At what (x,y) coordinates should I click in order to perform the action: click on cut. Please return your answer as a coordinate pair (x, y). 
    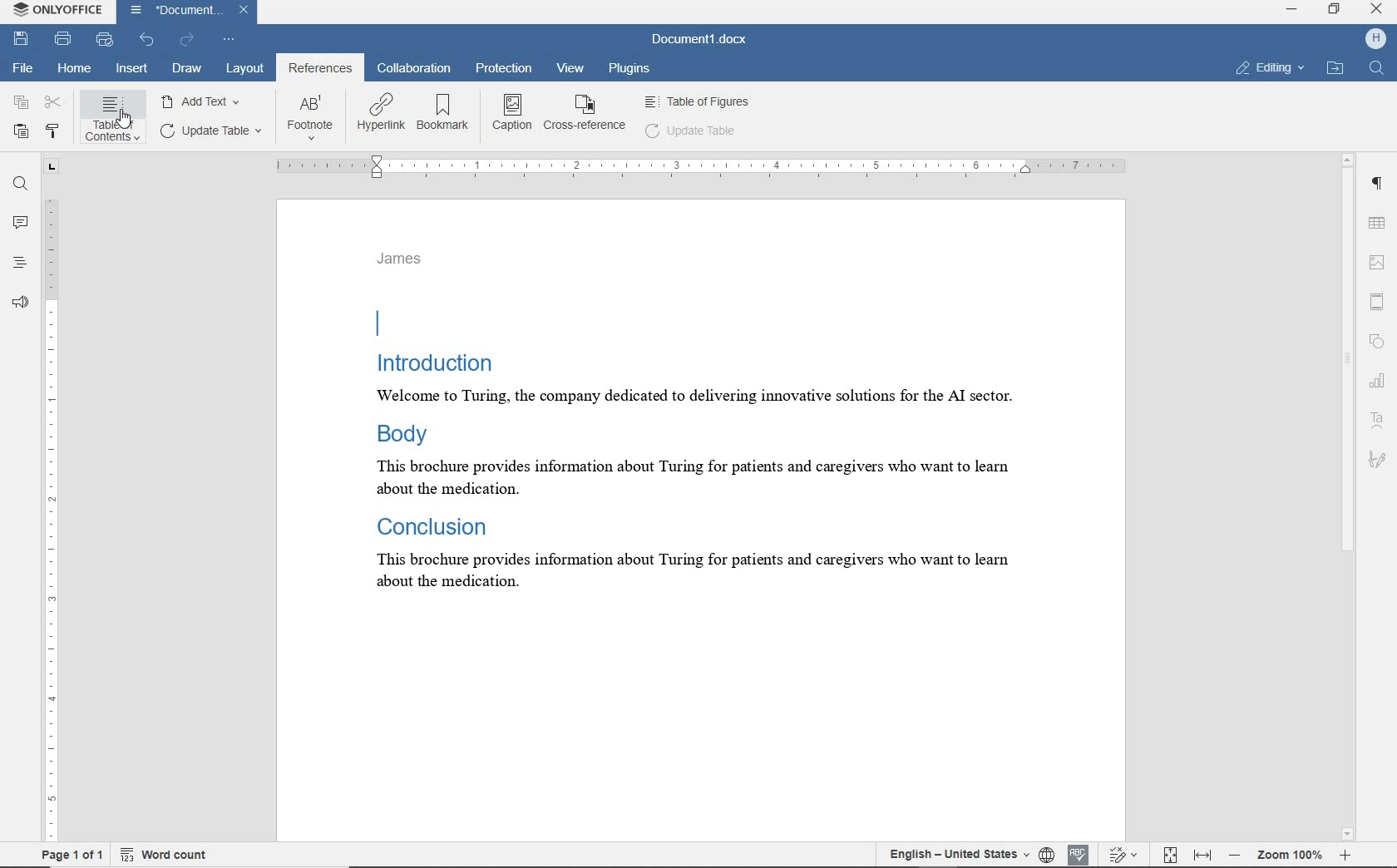
    Looking at the image, I should click on (52, 104).